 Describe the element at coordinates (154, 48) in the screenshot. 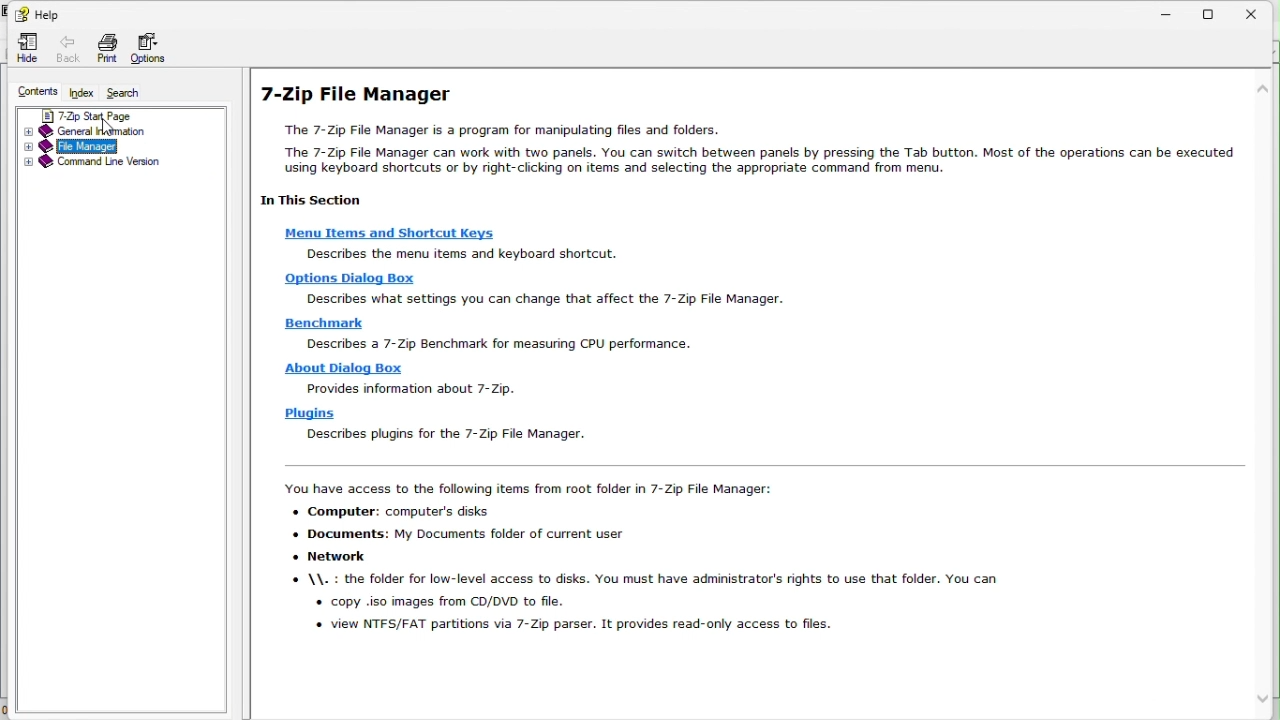

I see `Options` at that location.